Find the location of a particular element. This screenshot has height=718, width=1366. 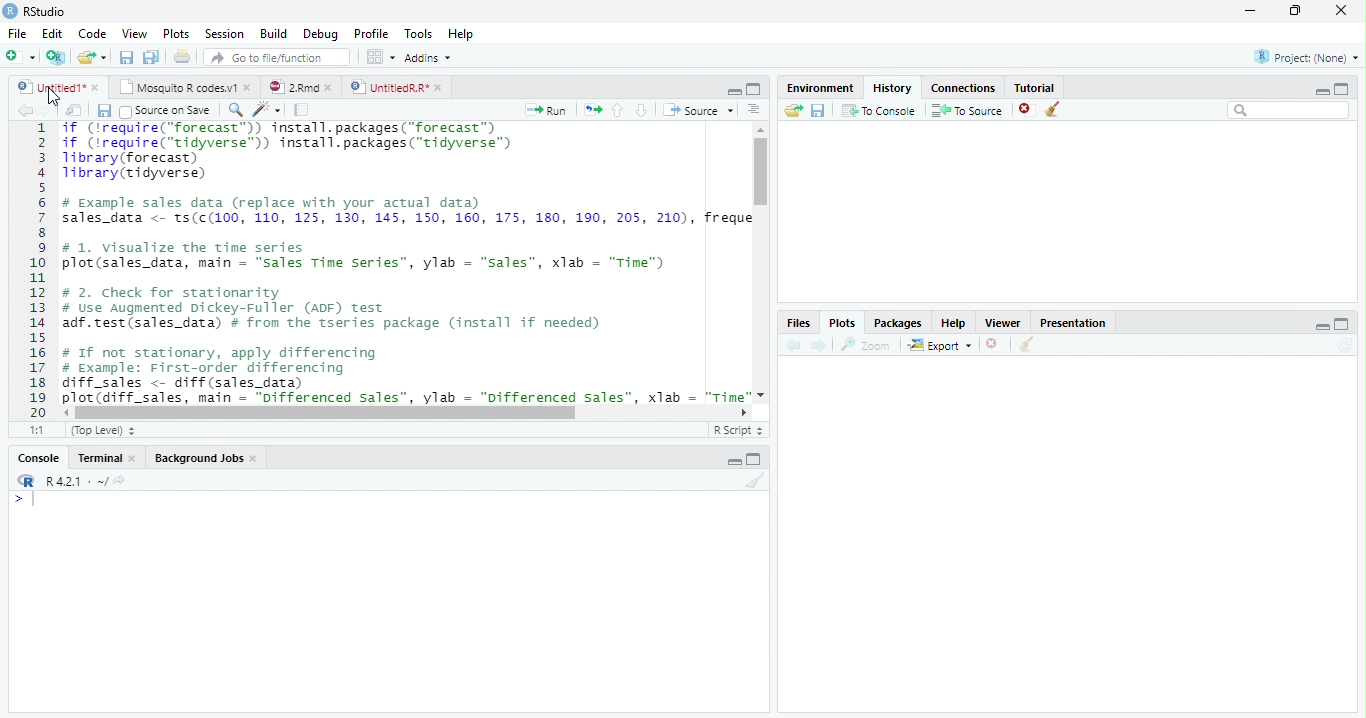

Build is located at coordinates (274, 33).